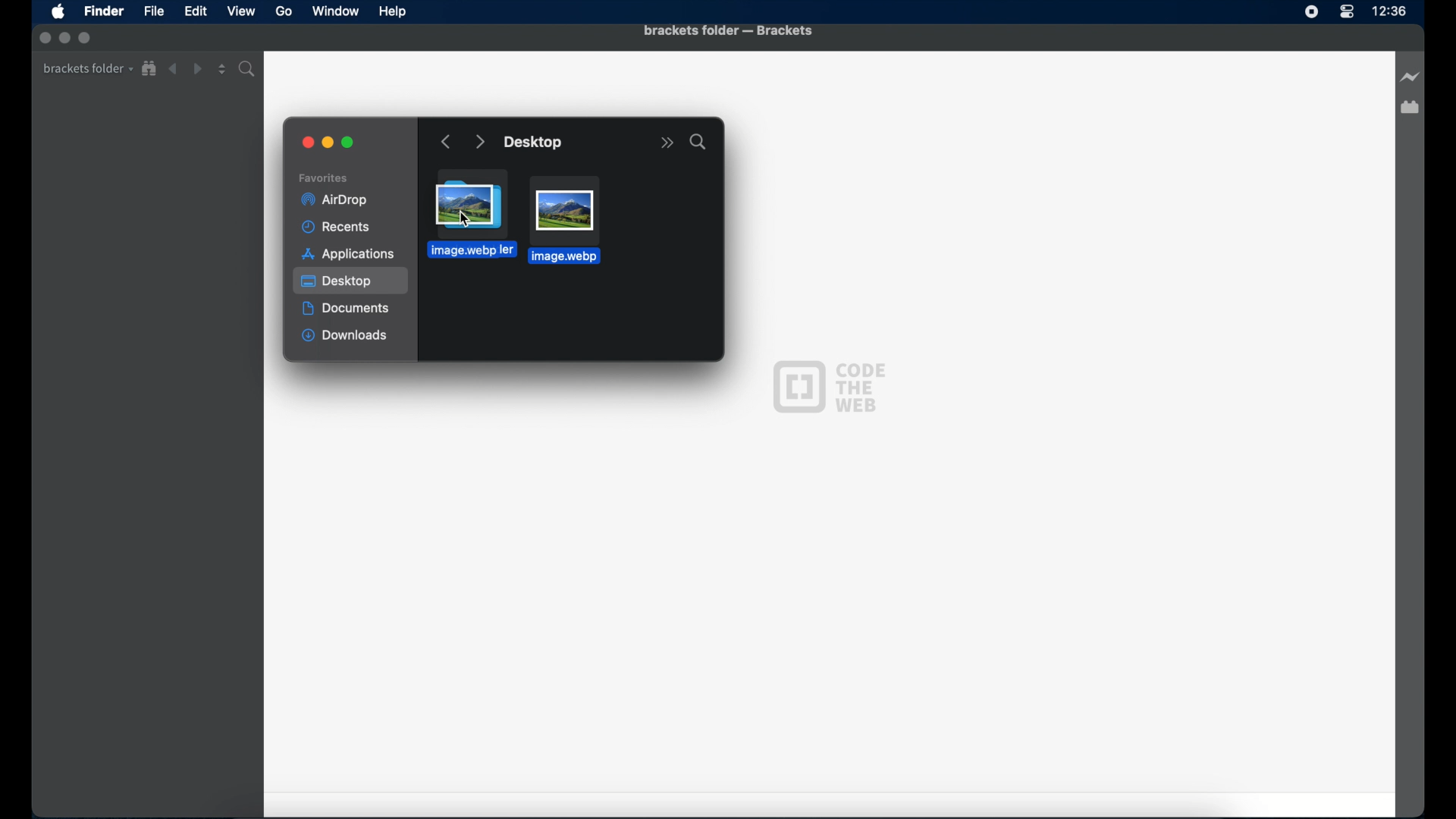 This screenshot has width=1456, height=819. What do you see at coordinates (222, 69) in the screenshot?
I see `split editor vertical or horizontal` at bounding box center [222, 69].